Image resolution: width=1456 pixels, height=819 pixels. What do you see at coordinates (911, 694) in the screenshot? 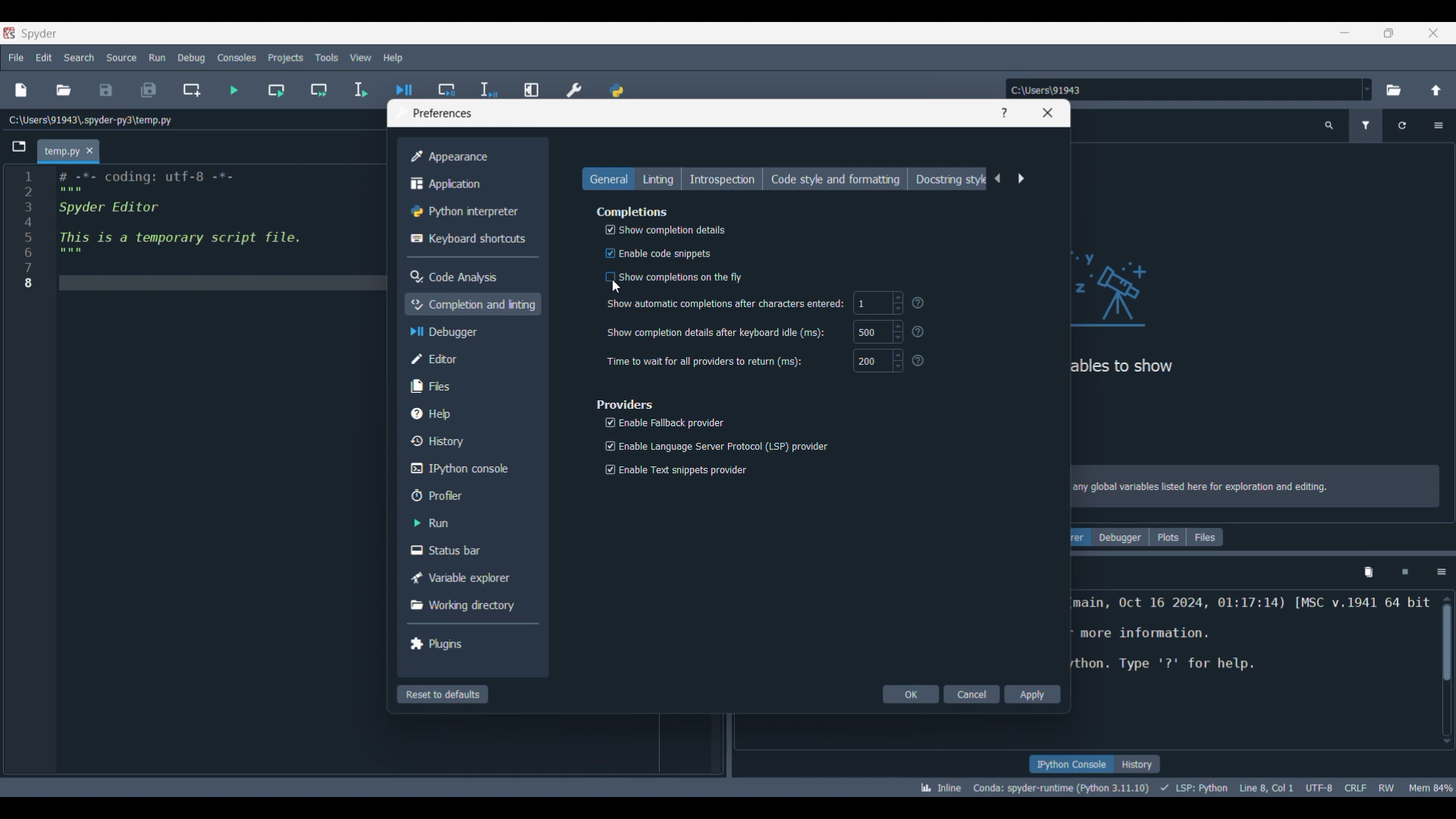
I see `OK` at bounding box center [911, 694].